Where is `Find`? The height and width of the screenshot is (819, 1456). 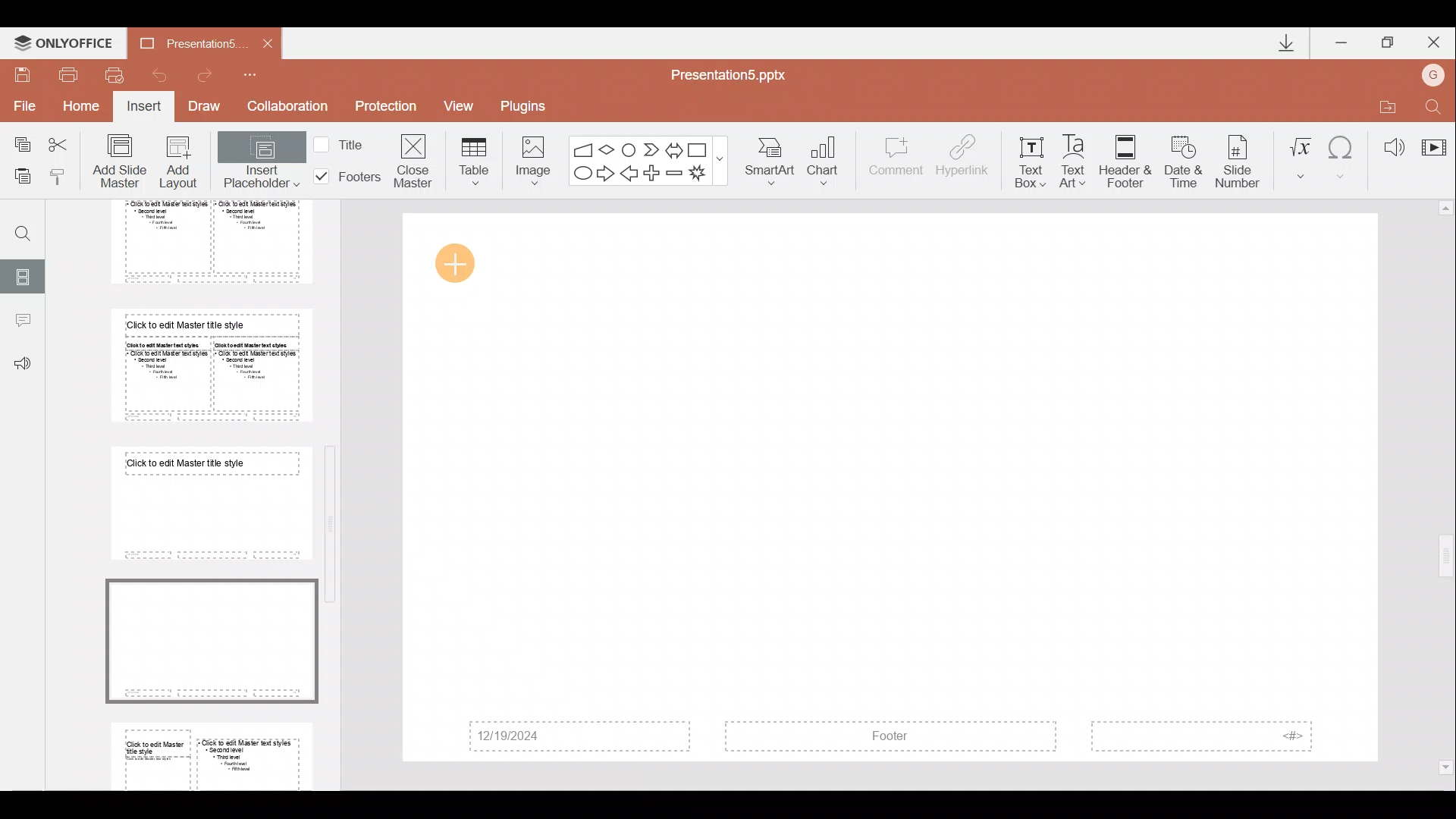
Find is located at coordinates (1435, 104).